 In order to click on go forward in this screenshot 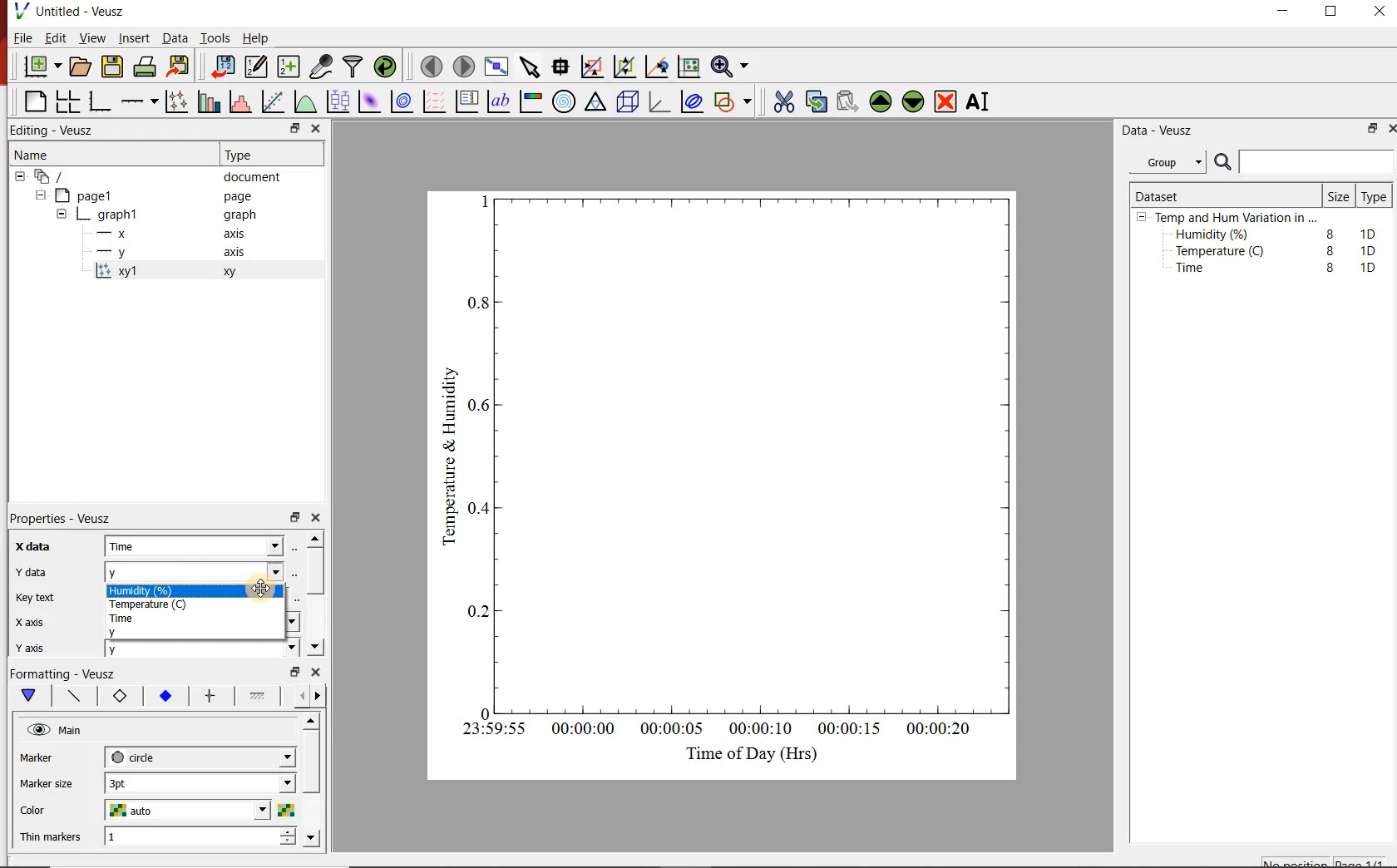, I will do `click(321, 696)`.